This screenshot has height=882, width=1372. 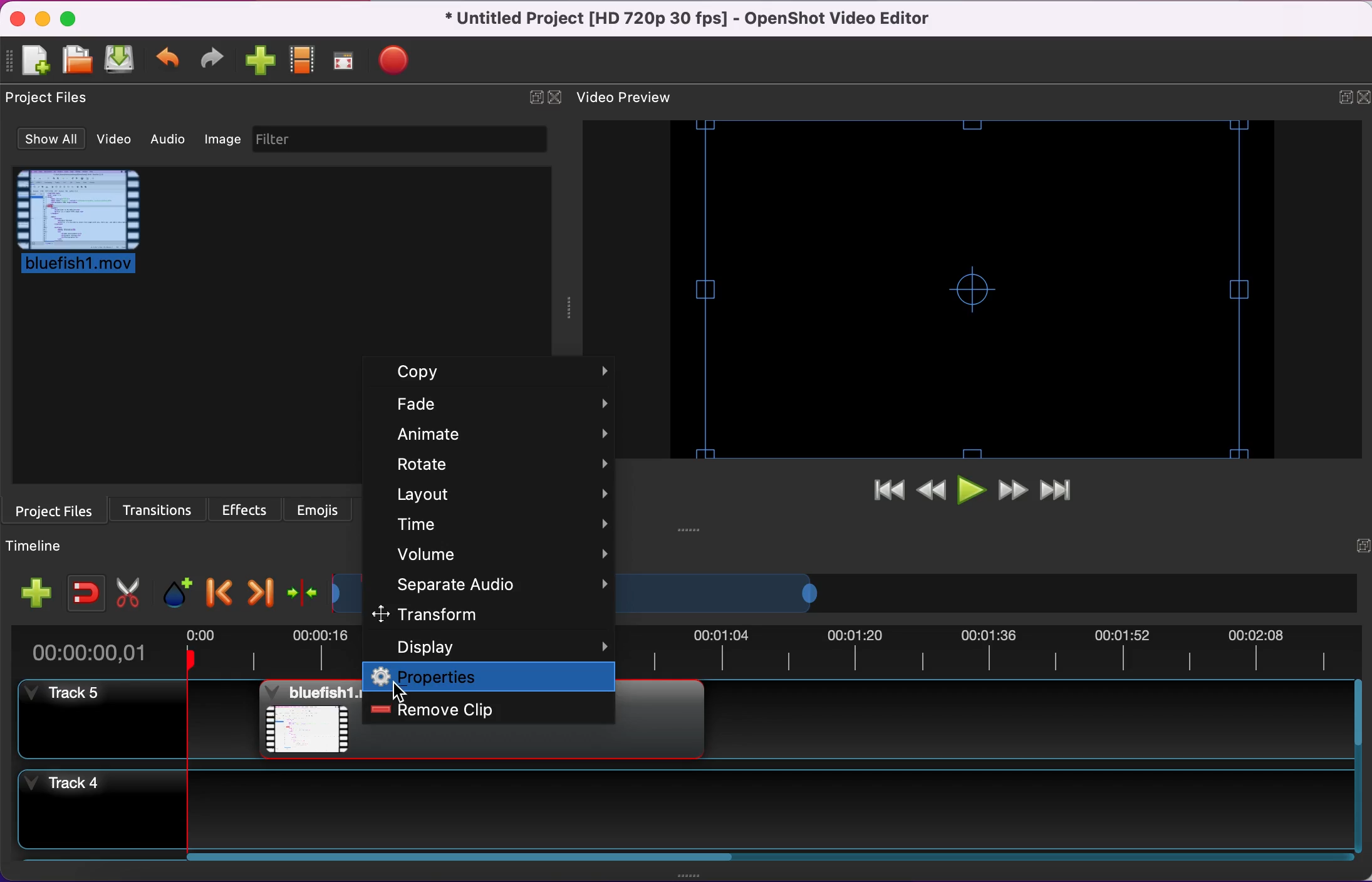 What do you see at coordinates (33, 64) in the screenshot?
I see `new project` at bounding box center [33, 64].